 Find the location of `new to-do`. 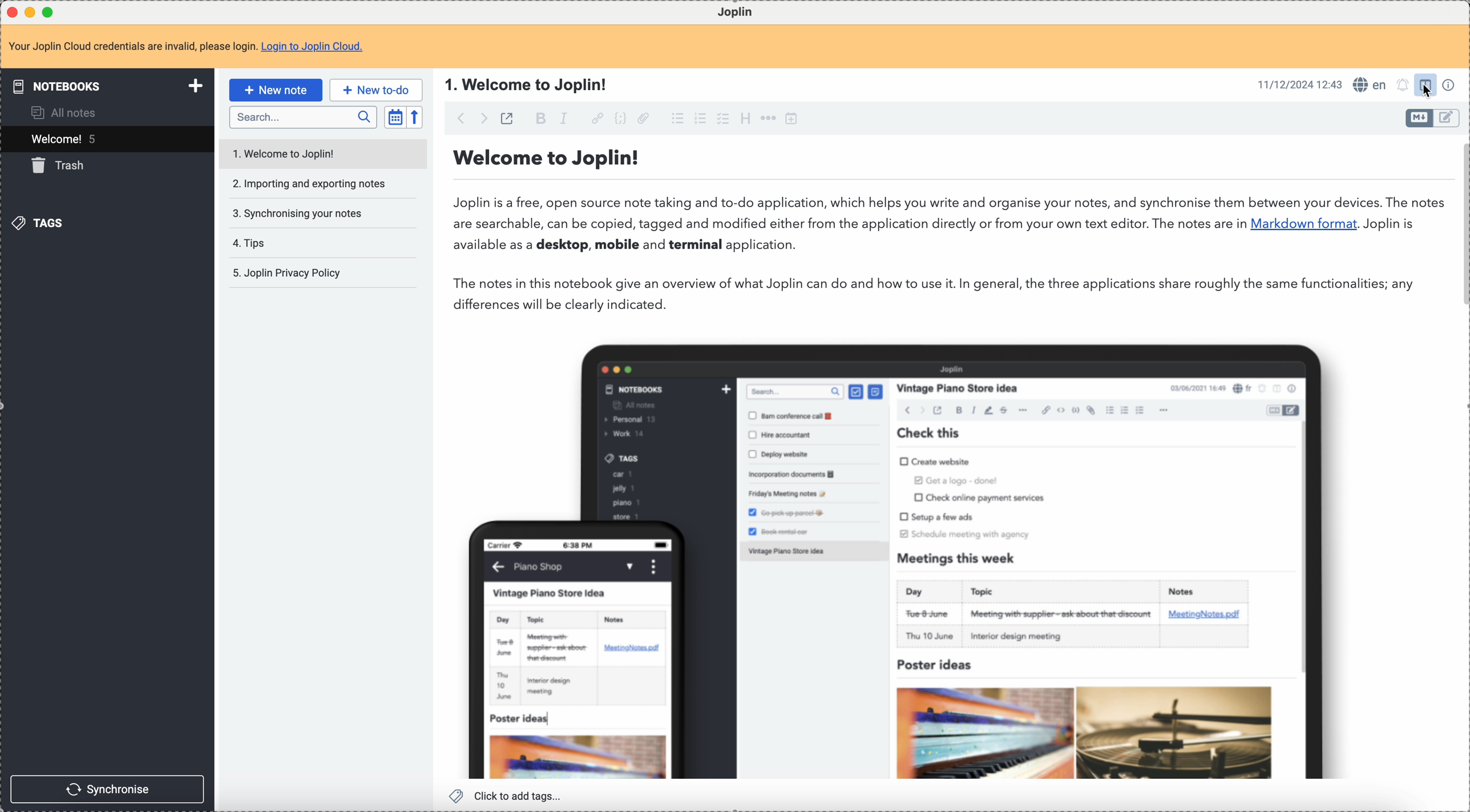

new to-do is located at coordinates (375, 91).